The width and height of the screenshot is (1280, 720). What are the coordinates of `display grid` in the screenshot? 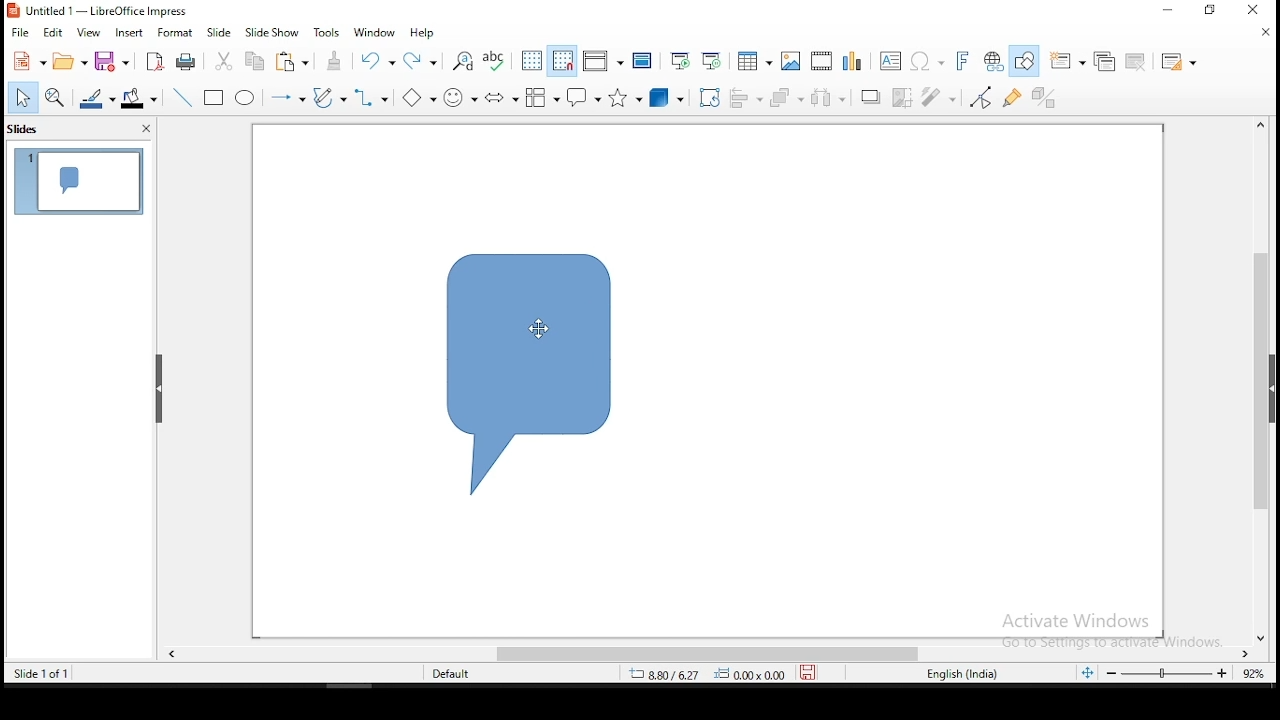 It's located at (533, 61).